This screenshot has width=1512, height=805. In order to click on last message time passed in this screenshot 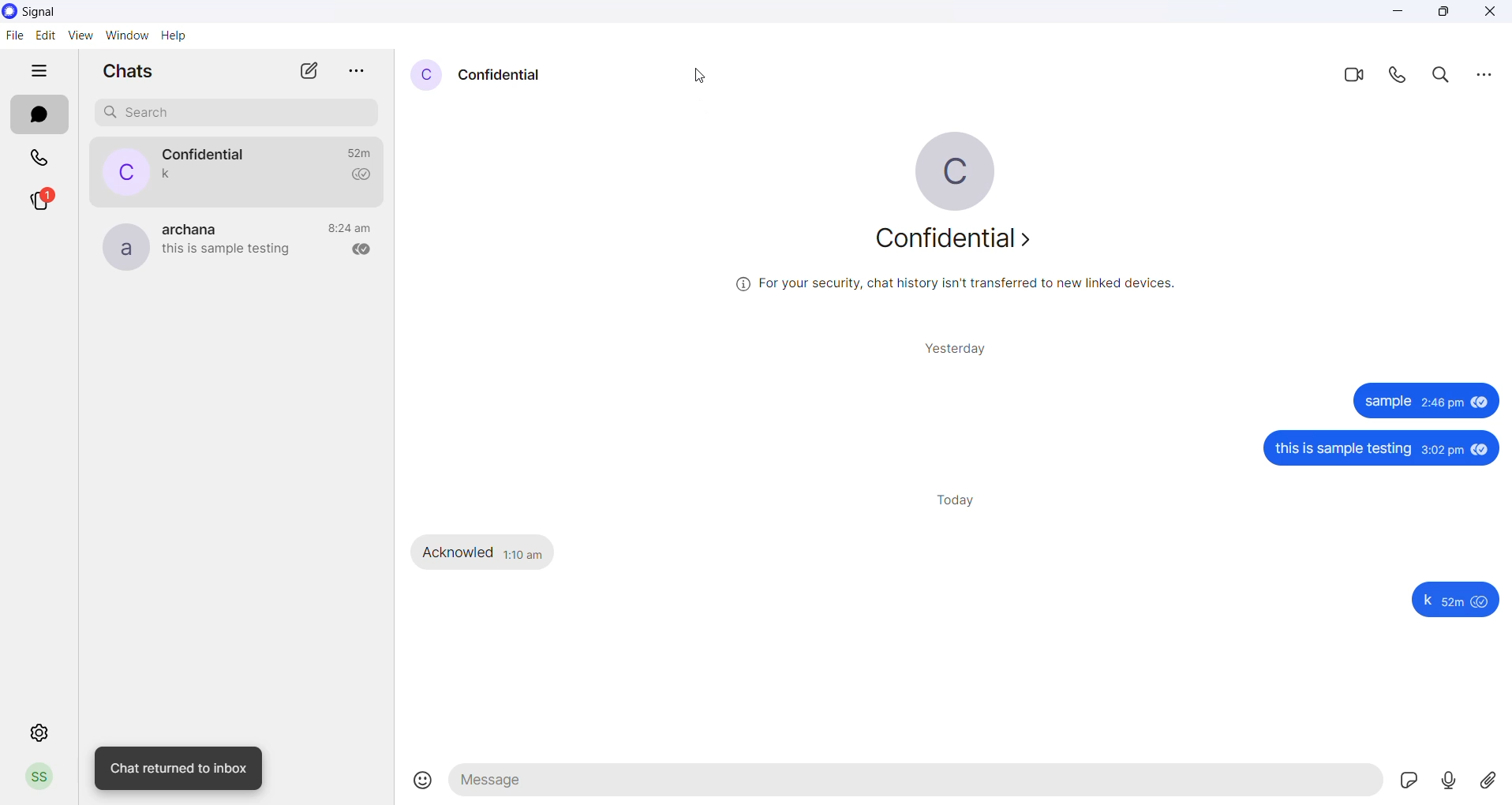, I will do `click(365, 151)`.